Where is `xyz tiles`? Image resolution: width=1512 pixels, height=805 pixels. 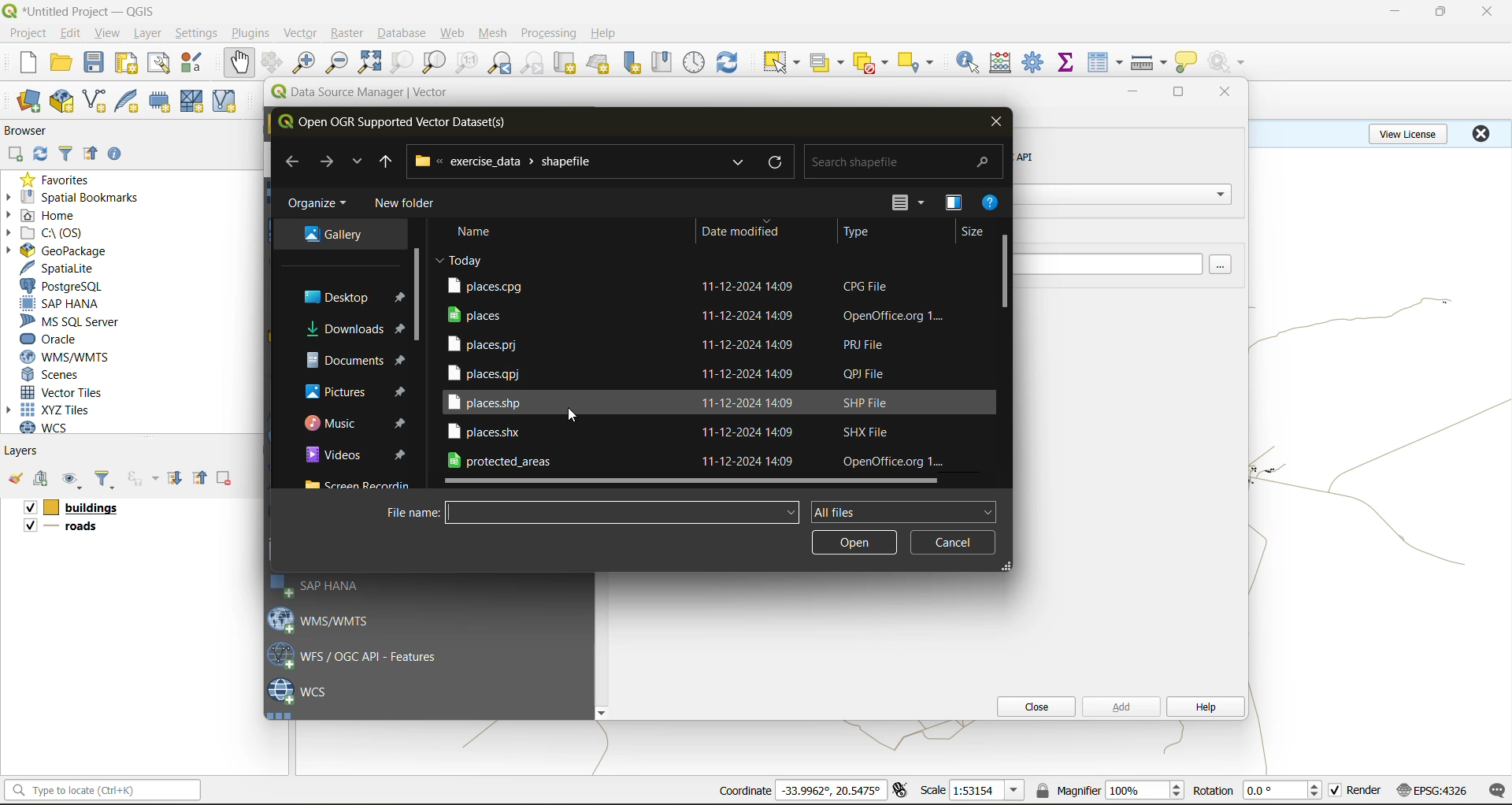
xyz tiles is located at coordinates (57, 410).